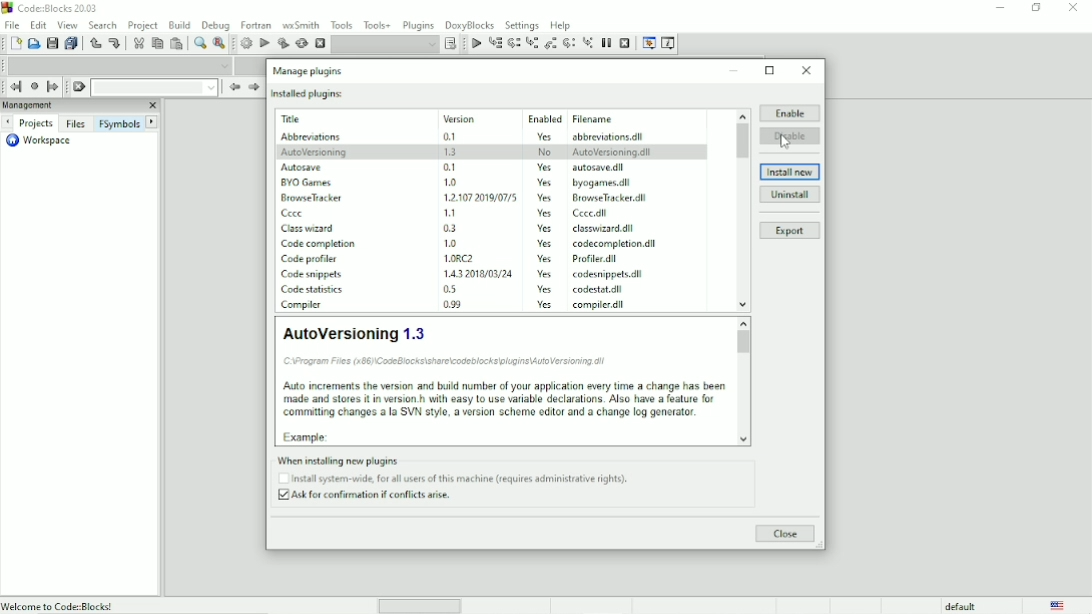  Describe the element at coordinates (540, 167) in the screenshot. I see `Yes` at that location.